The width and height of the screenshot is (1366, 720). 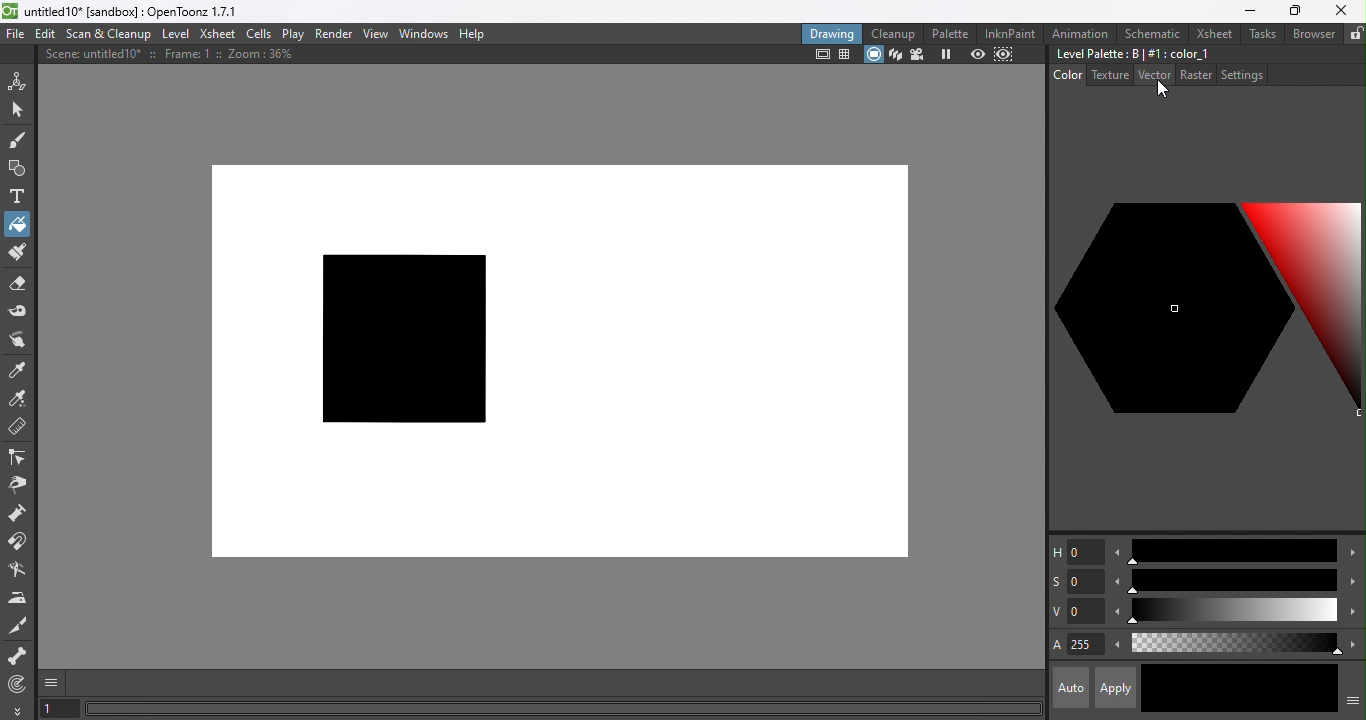 I want to click on Finger tool, so click(x=22, y=341).